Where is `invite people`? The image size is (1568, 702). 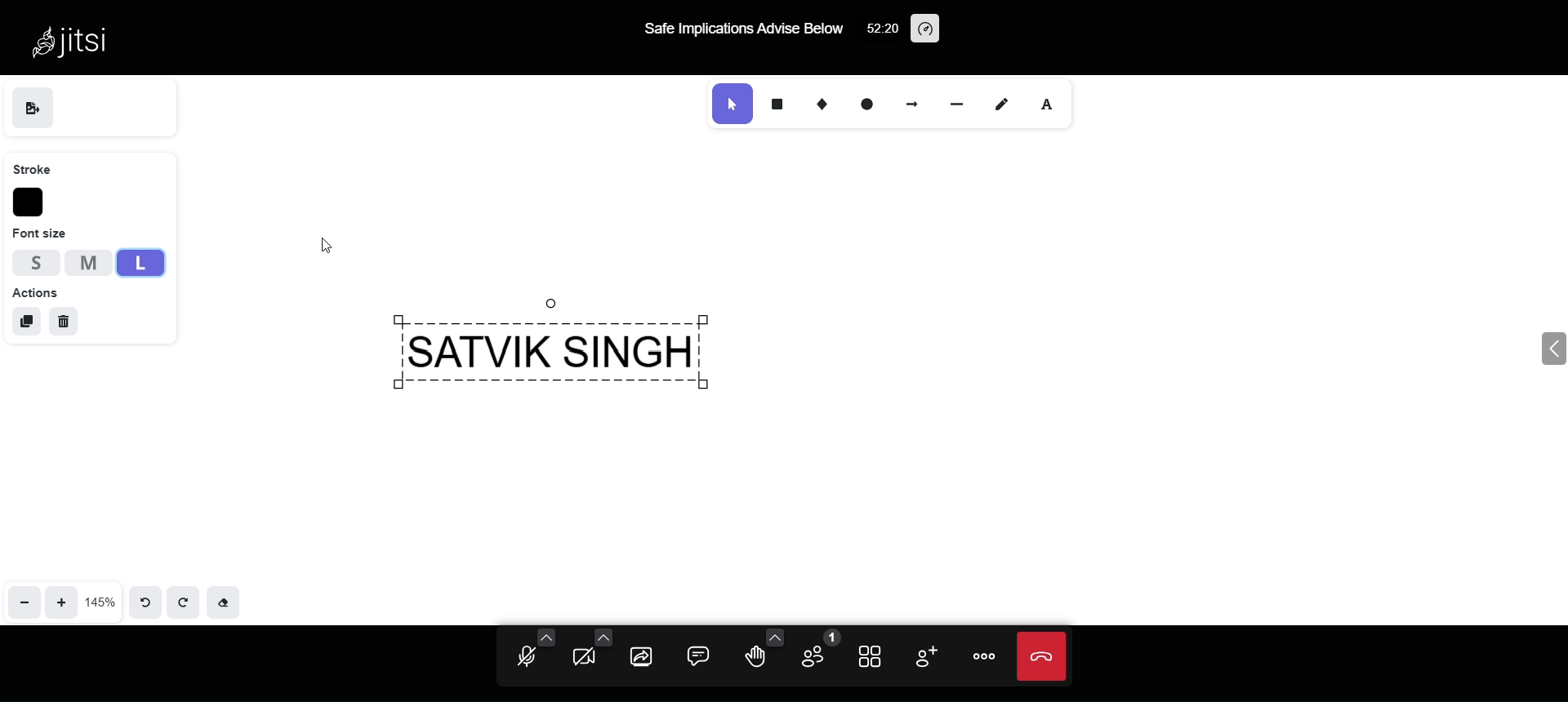
invite people is located at coordinates (923, 655).